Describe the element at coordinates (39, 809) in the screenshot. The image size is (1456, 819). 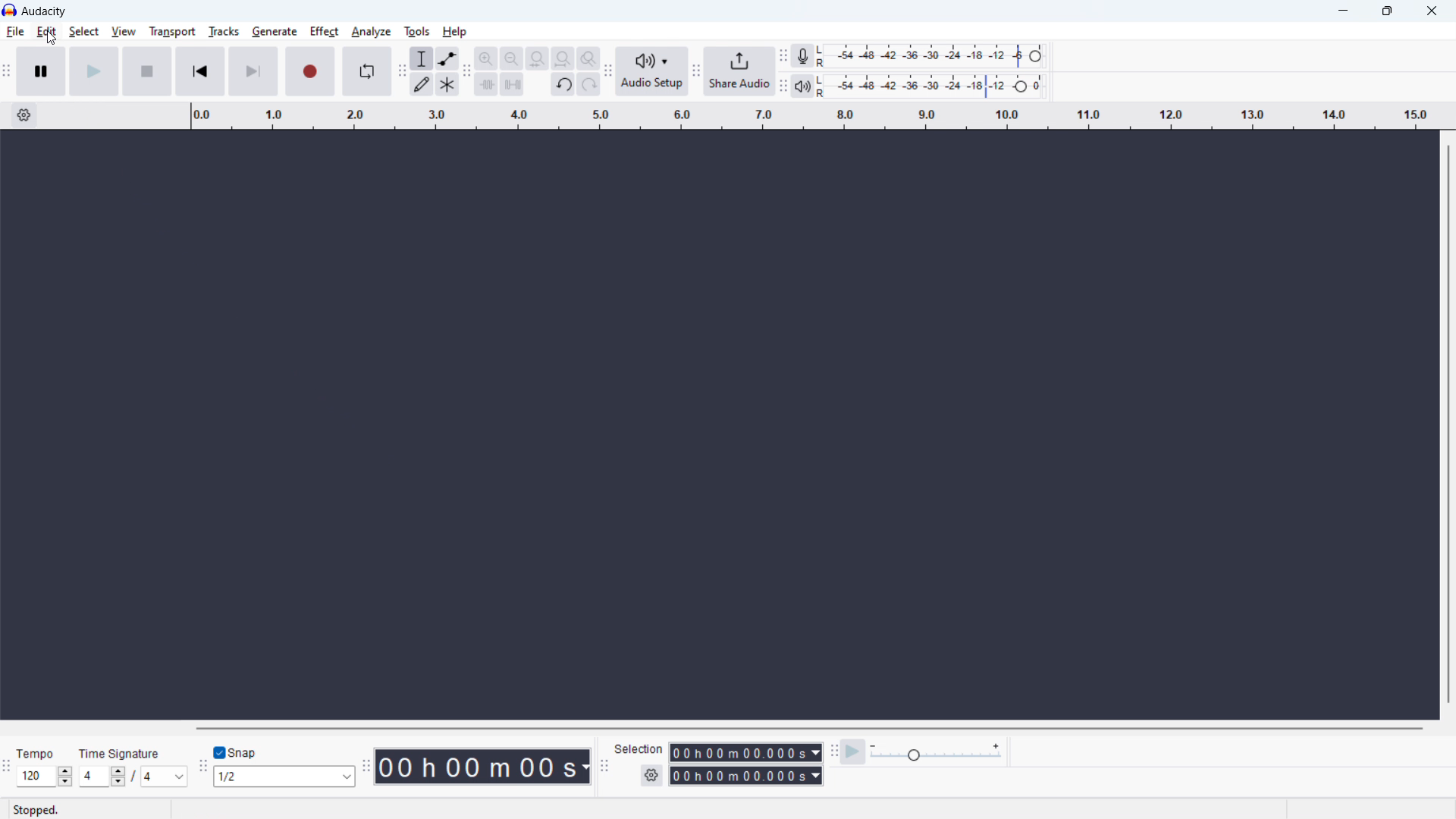
I see `Stopped` at that location.